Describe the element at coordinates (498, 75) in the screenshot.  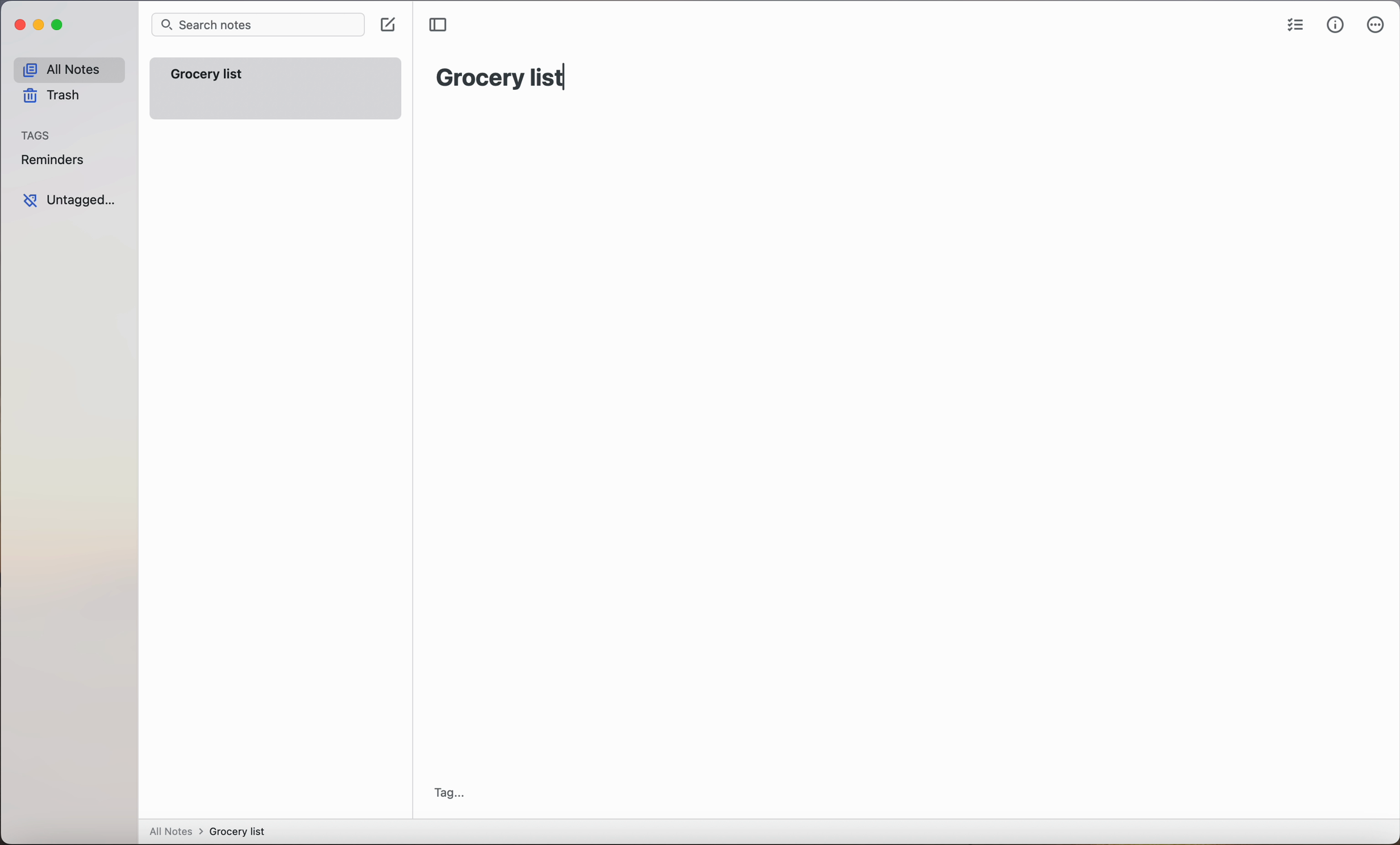
I see `Grocery List` at that location.